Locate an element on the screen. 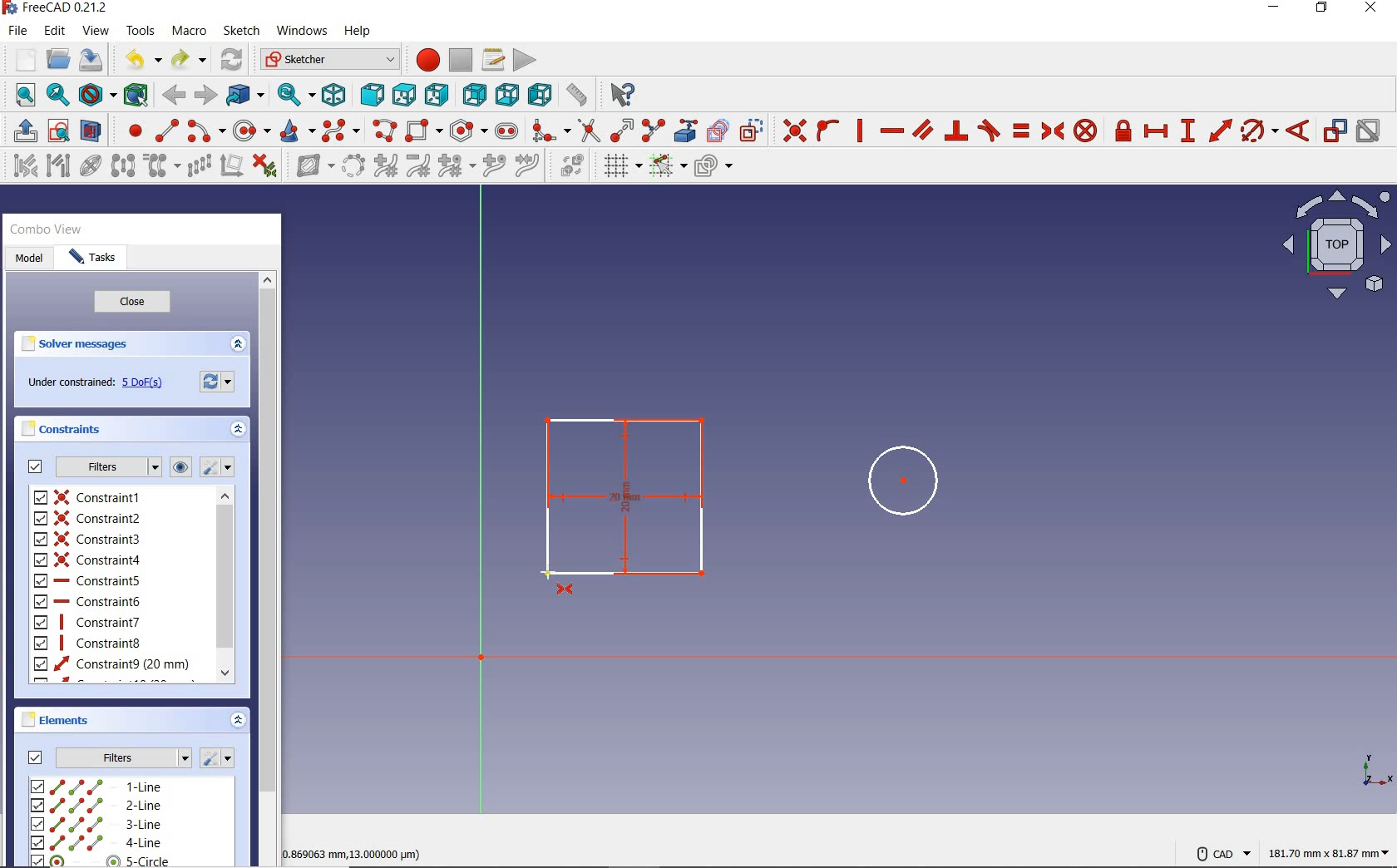 Image resolution: width=1397 pixels, height=868 pixels. toggle construction geometry is located at coordinates (753, 128).